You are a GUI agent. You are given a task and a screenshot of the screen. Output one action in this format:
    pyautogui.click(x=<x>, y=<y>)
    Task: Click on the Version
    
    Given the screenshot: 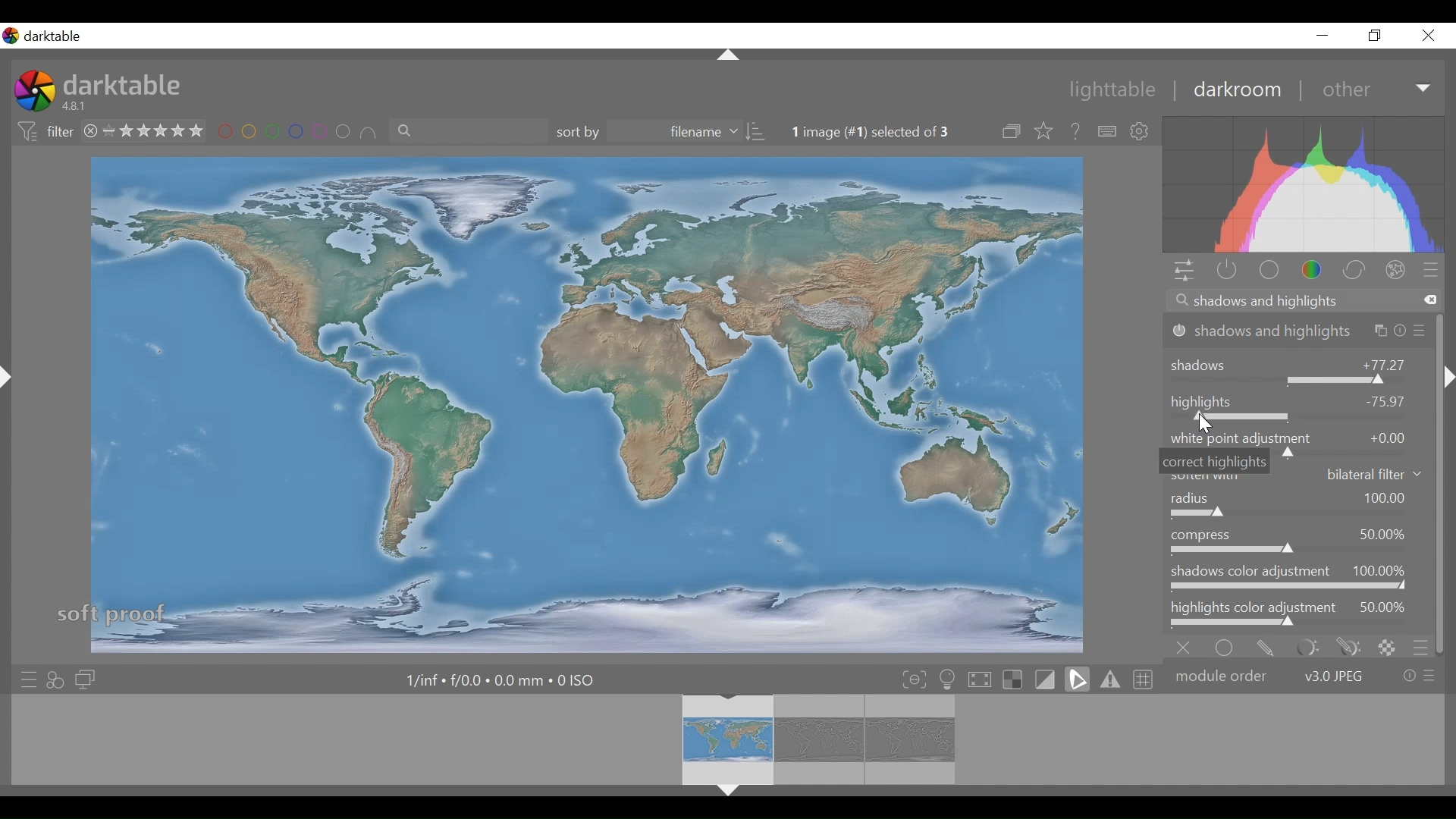 What is the action you would take?
    pyautogui.click(x=78, y=107)
    